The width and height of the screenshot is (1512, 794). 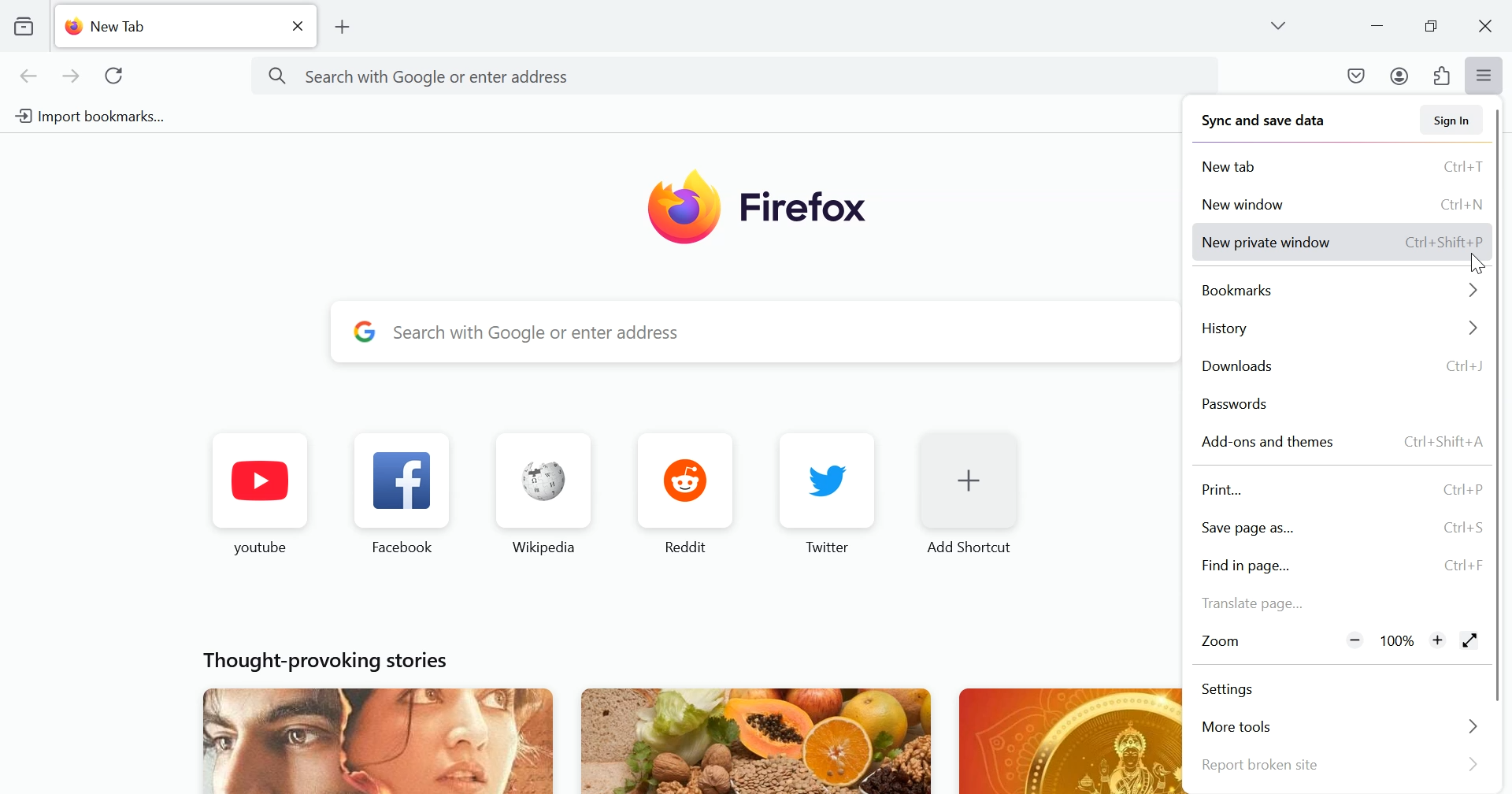 What do you see at coordinates (760, 211) in the screenshot?
I see `Firefox Image` at bounding box center [760, 211].